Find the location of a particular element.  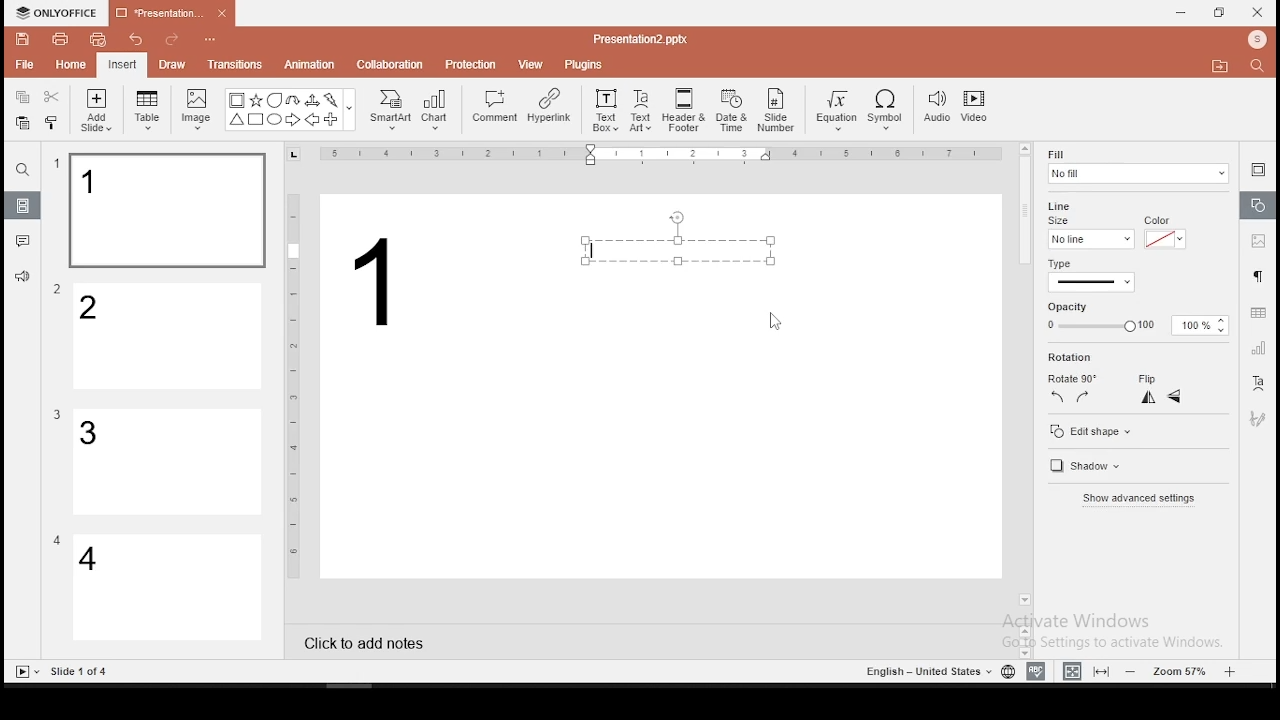

animation is located at coordinates (308, 66).